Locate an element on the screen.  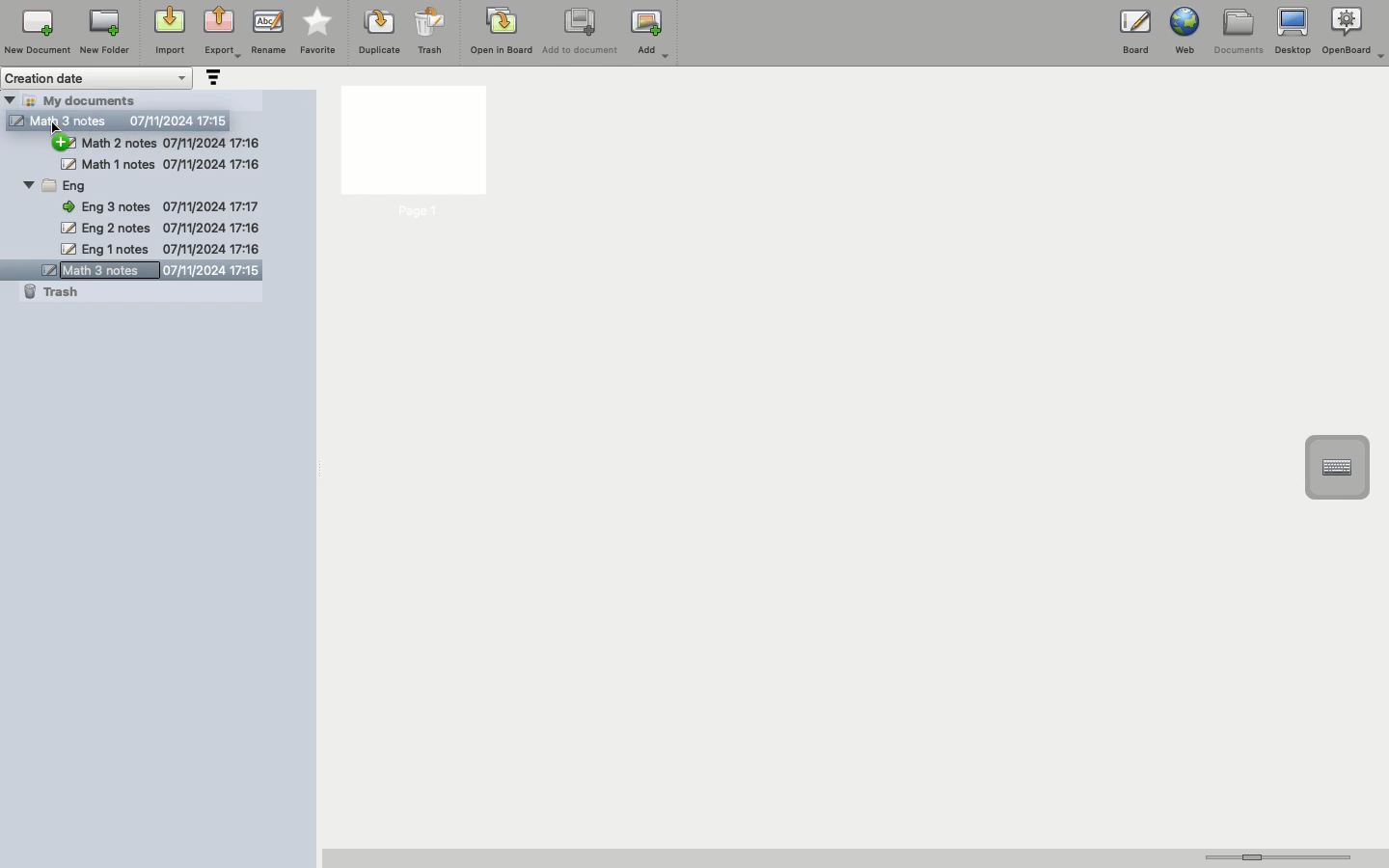
Open in board is located at coordinates (502, 30).